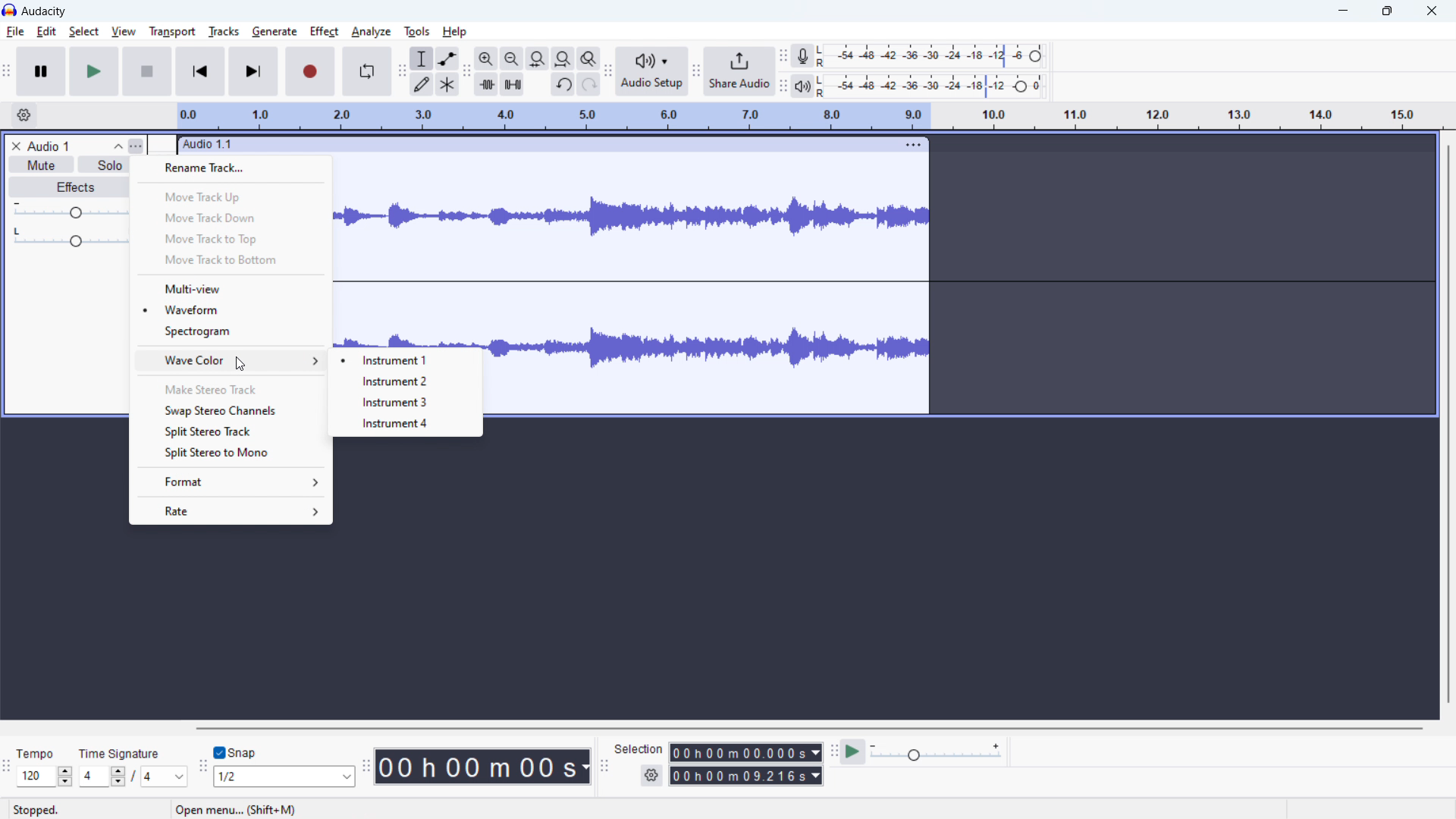  I want to click on track options, so click(915, 145).